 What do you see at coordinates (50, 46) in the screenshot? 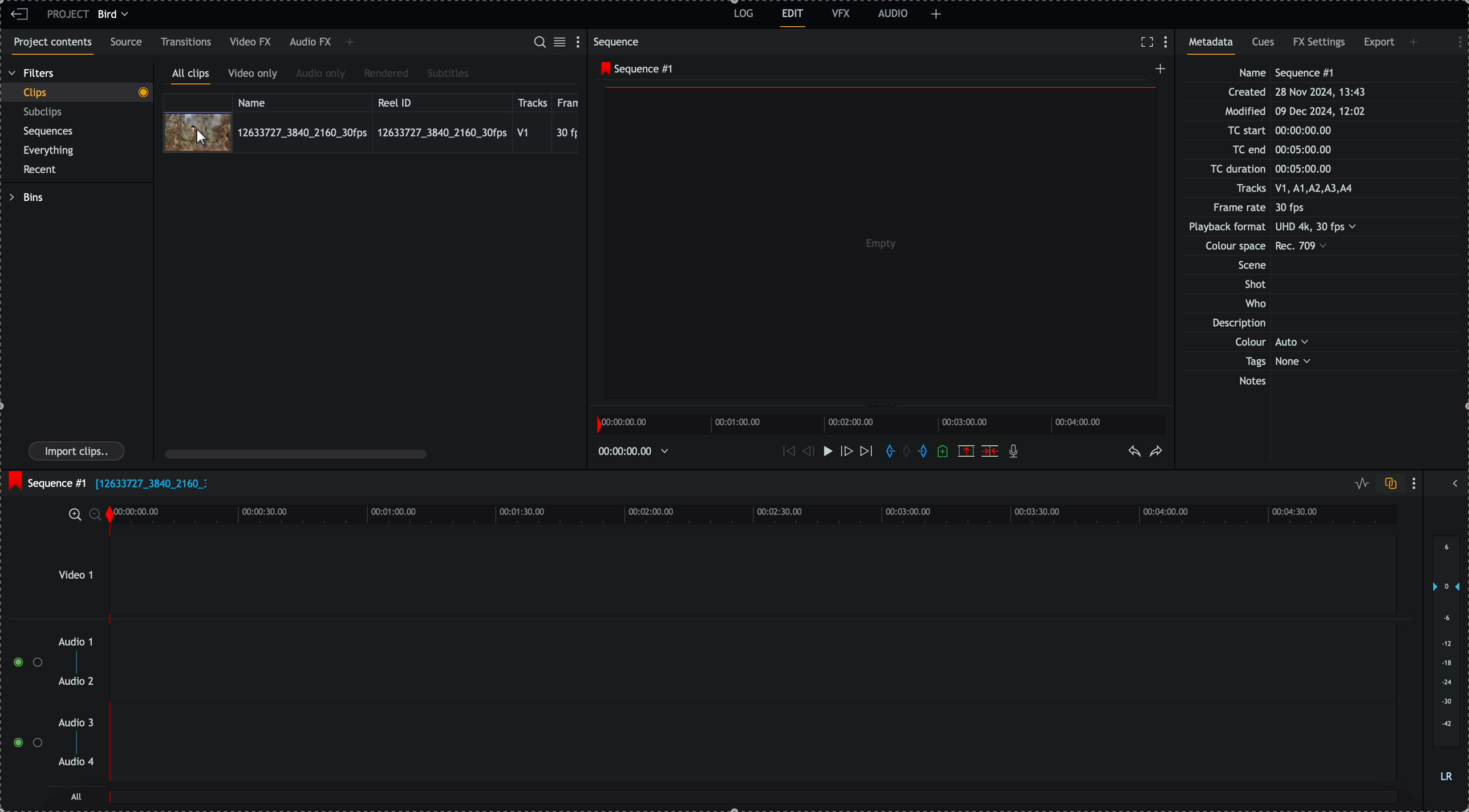
I see `project contents` at bounding box center [50, 46].